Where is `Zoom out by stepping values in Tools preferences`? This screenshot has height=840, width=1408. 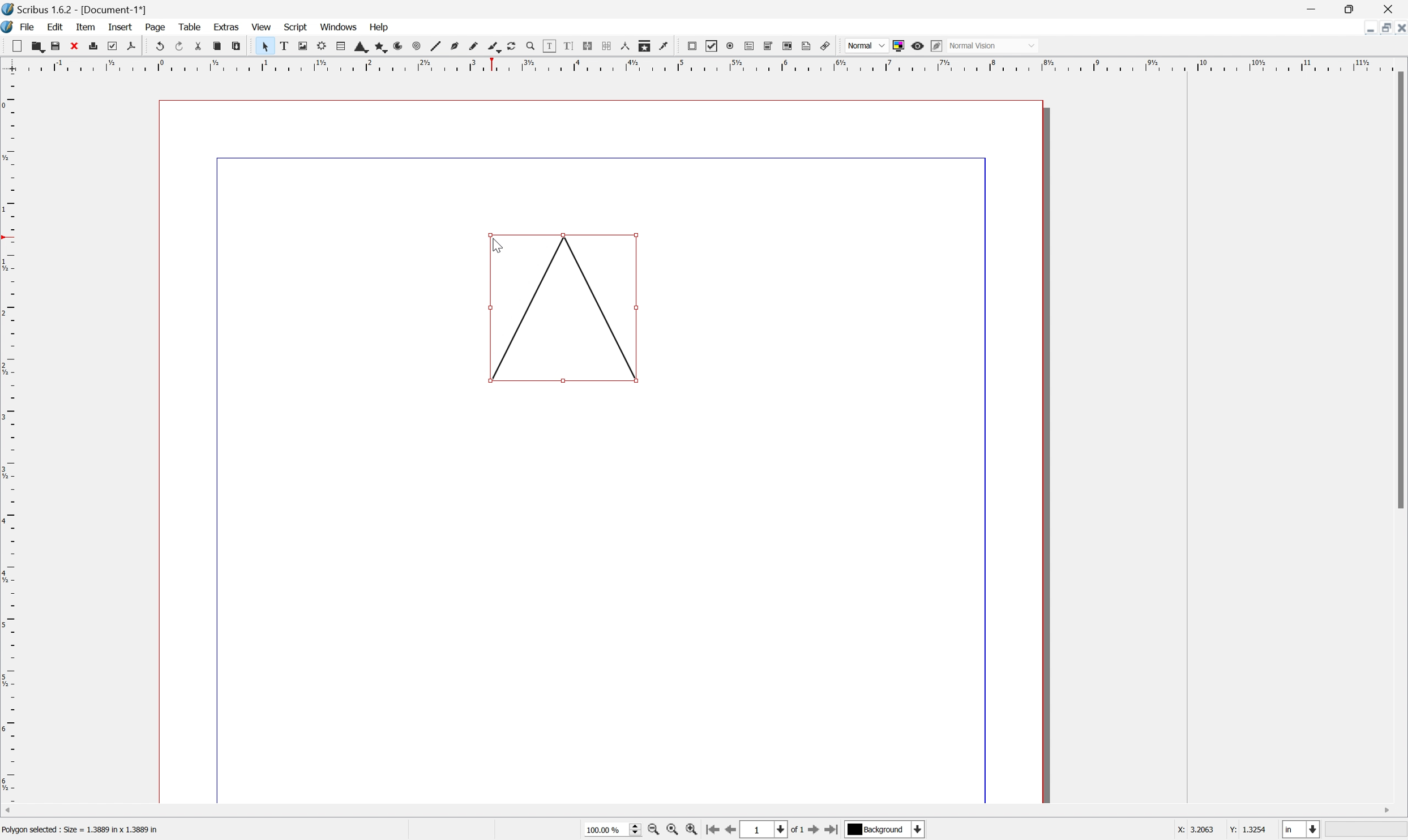
Zoom out by stepping values in Tools preferences is located at coordinates (654, 830).